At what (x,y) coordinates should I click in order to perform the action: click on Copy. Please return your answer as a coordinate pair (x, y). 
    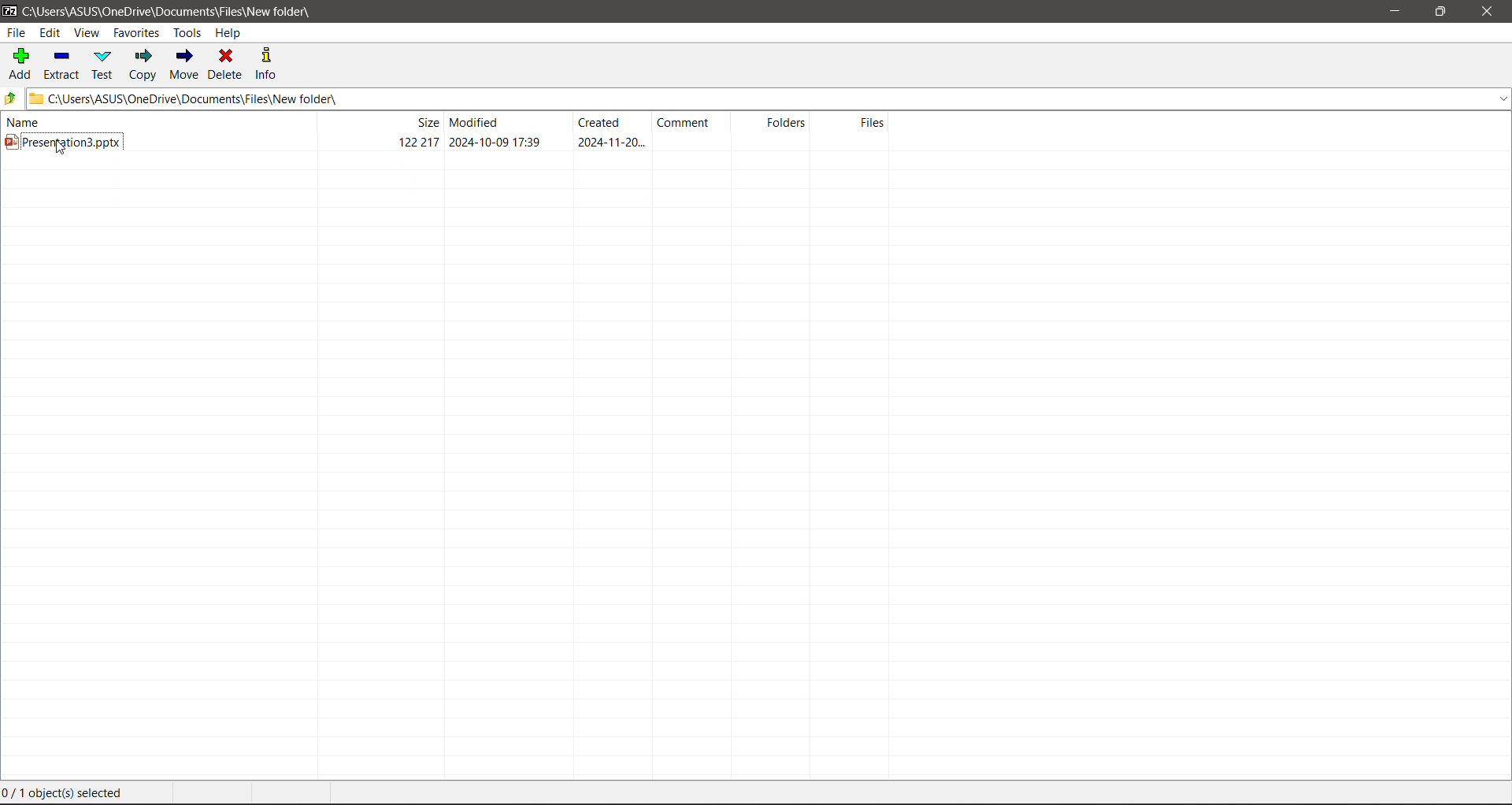
    Looking at the image, I should click on (143, 65).